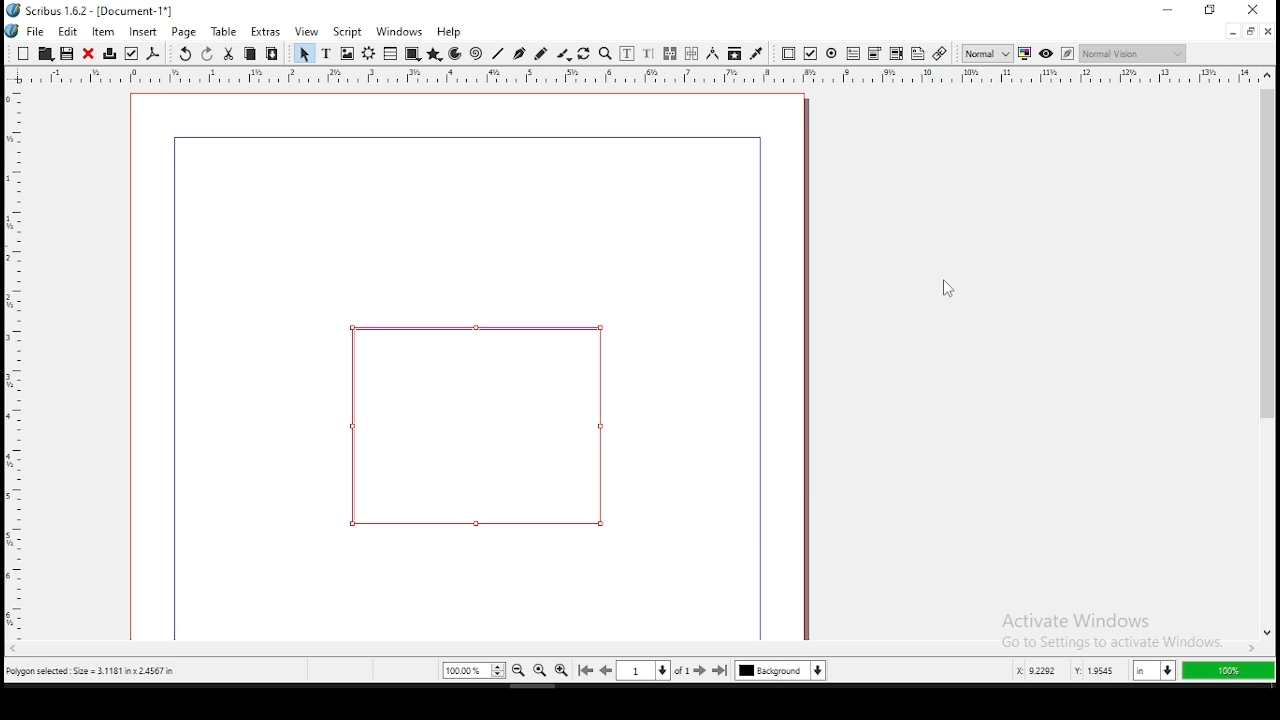 The width and height of the screenshot is (1280, 720). I want to click on item, so click(103, 31).